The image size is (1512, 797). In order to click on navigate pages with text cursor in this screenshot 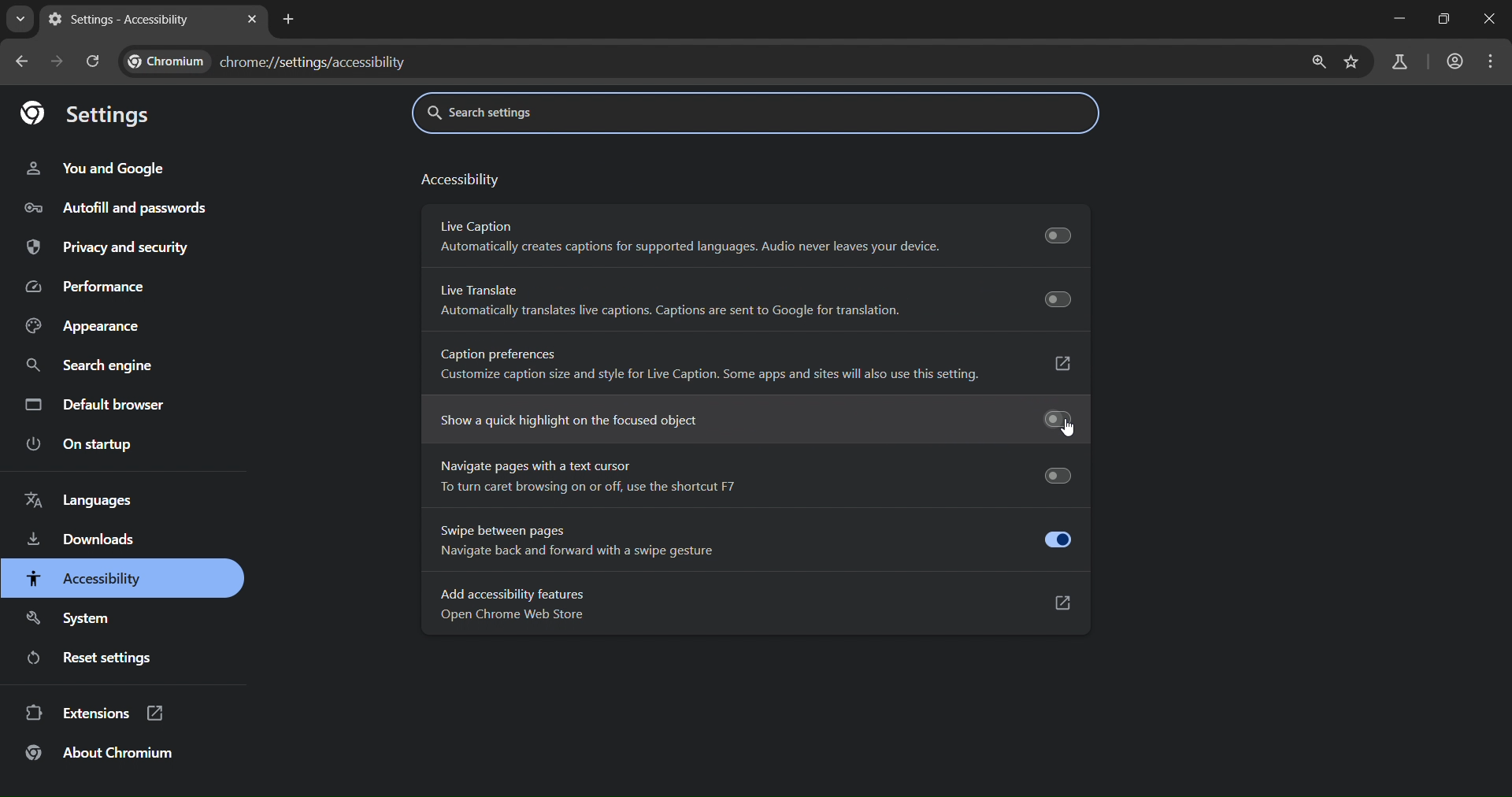, I will do `click(632, 476)`.